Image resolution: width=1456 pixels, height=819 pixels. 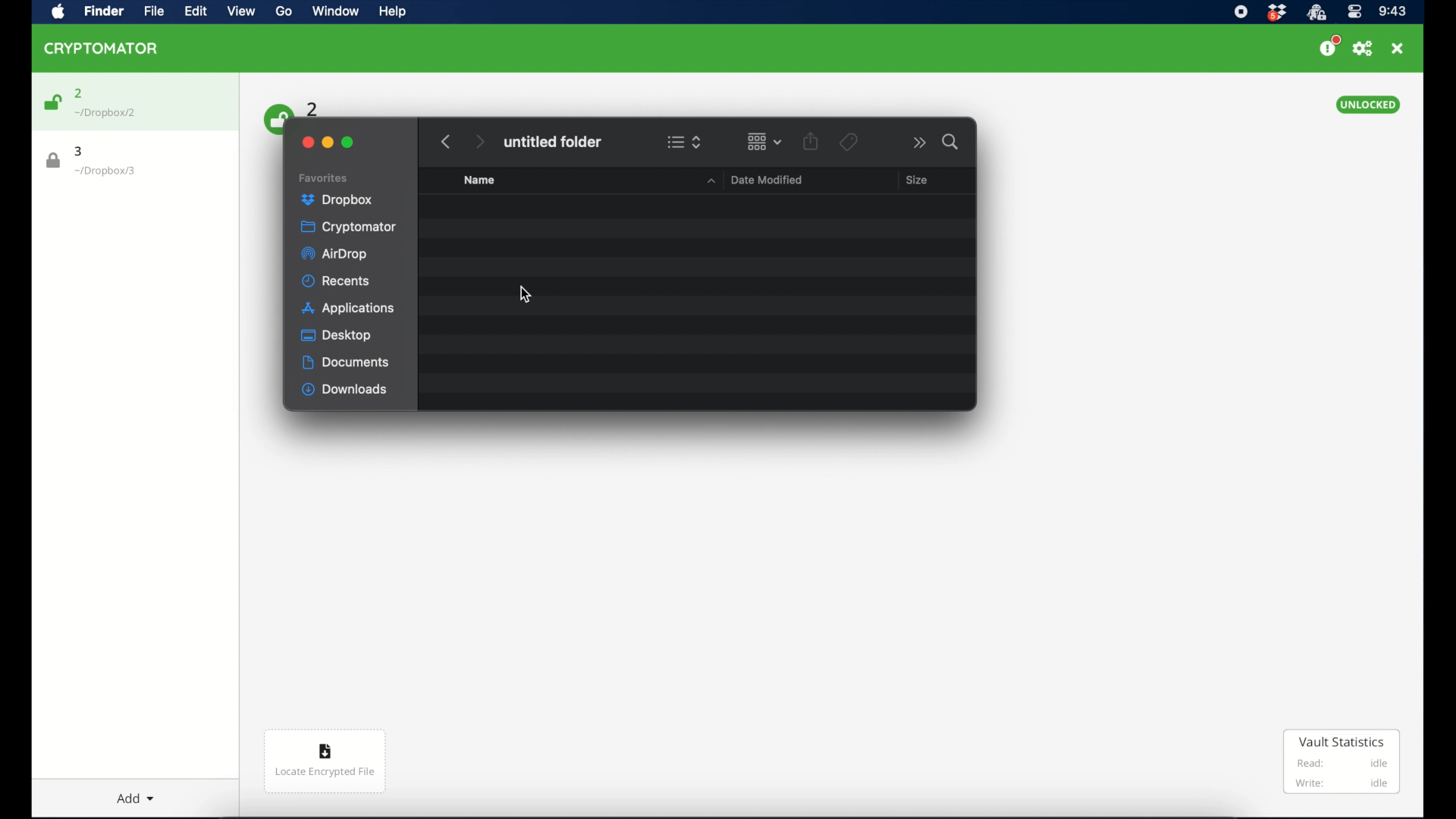 What do you see at coordinates (522, 296) in the screenshot?
I see `cursor` at bounding box center [522, 296].